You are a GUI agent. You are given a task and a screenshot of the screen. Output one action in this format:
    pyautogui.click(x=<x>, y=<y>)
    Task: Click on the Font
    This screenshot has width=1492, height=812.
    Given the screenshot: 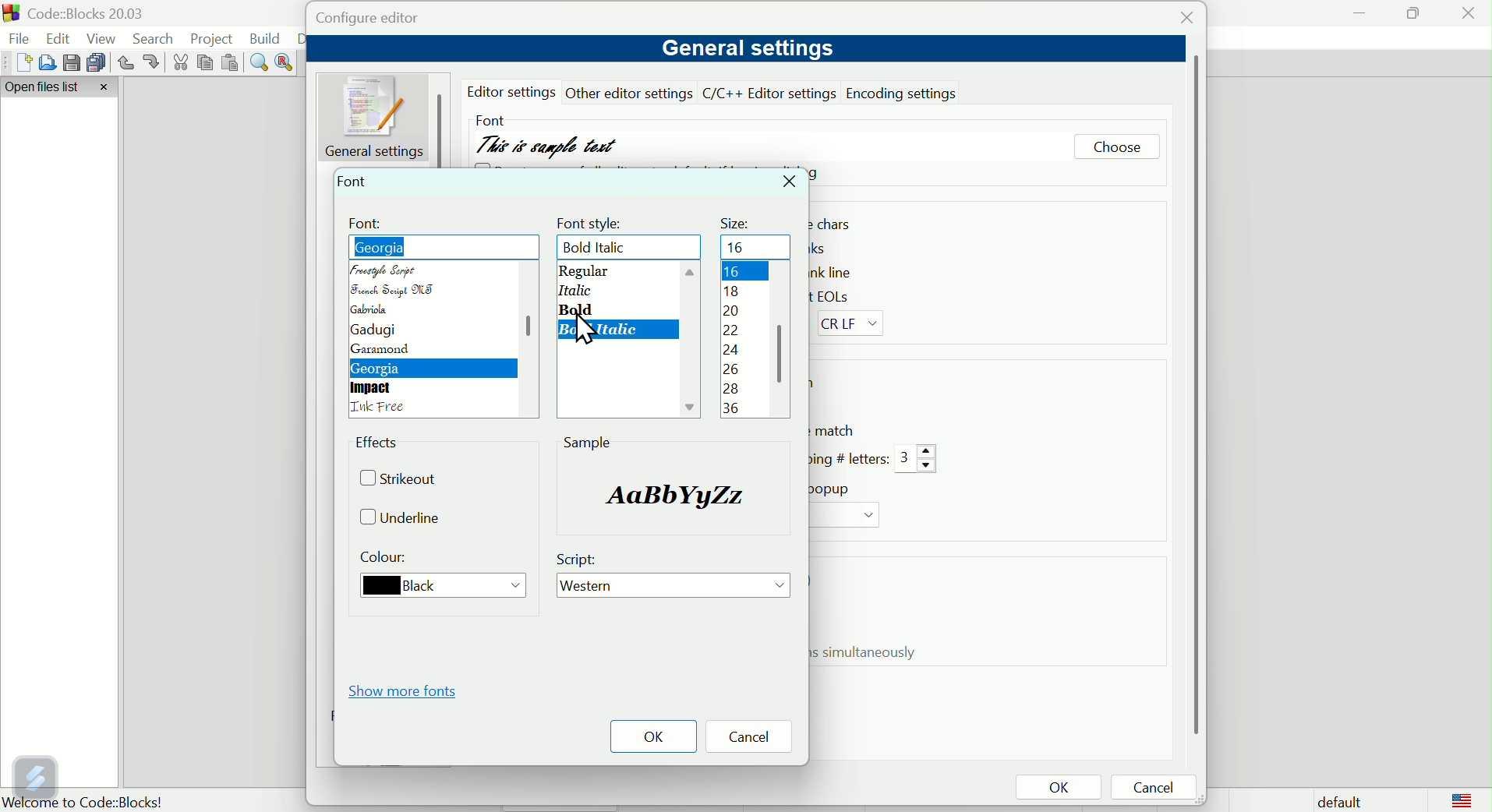 What is the action you would take?
    pyautogui.click(x=367, y=224)
    